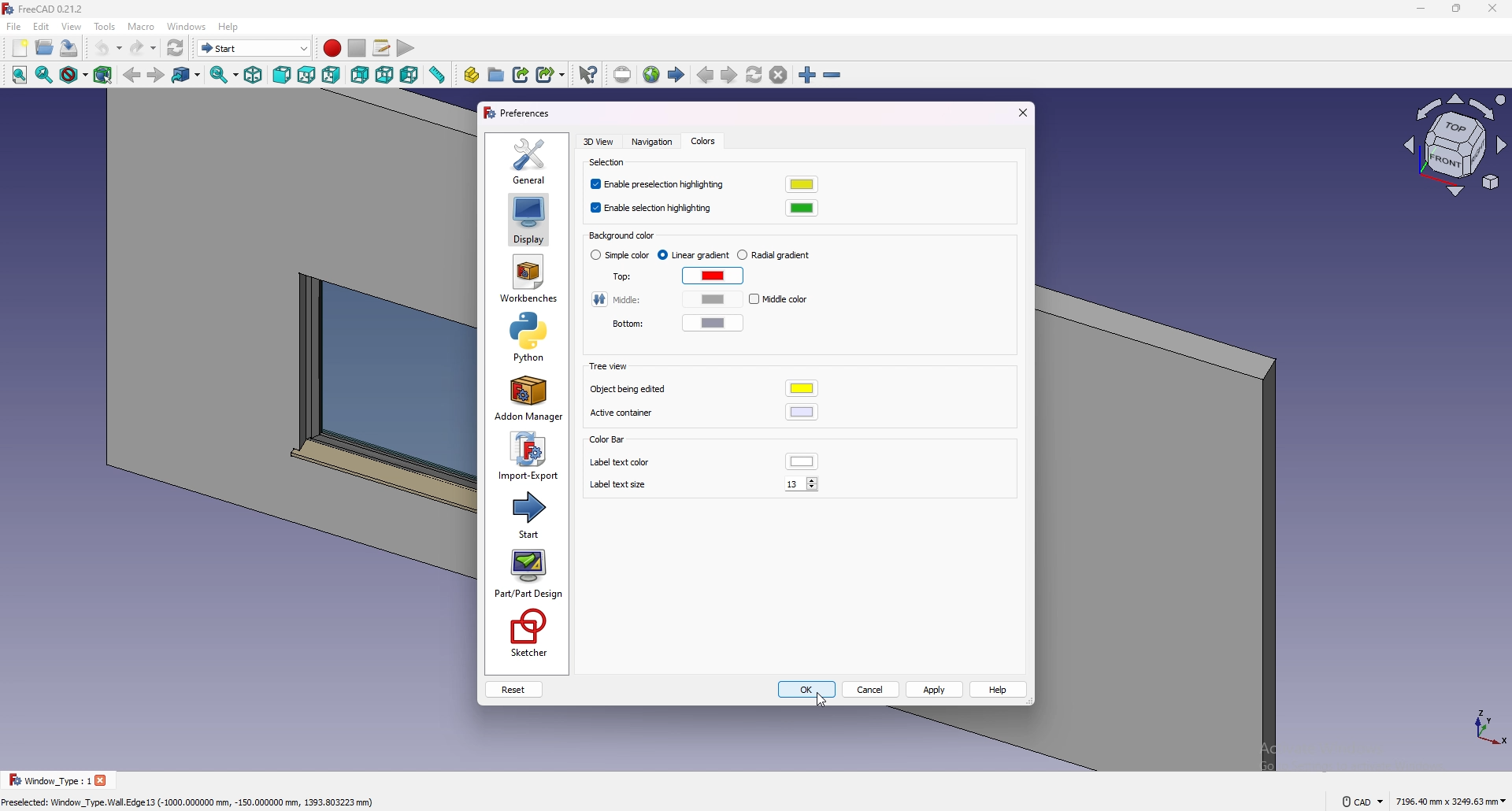 The width and height of the screenshot is (1512, 811). What do you see at coordinates (191, 800) in the screenshot?
I see `Preselected: Window_Type.Wall. Edge 13 (-1000,000000 mm, -150.000000 mm, 1393.803223 mm)` at bounding box center [191, 800].